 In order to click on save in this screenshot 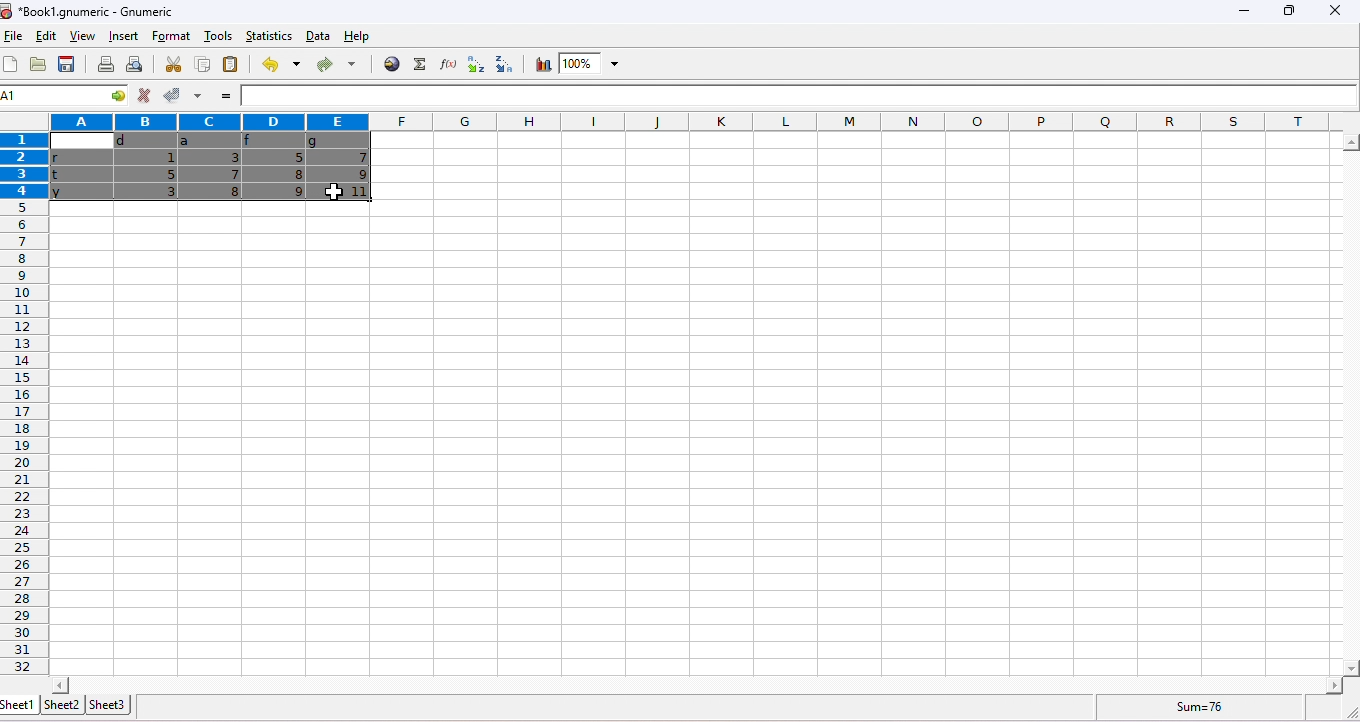, I will do `click(69, 65)`.